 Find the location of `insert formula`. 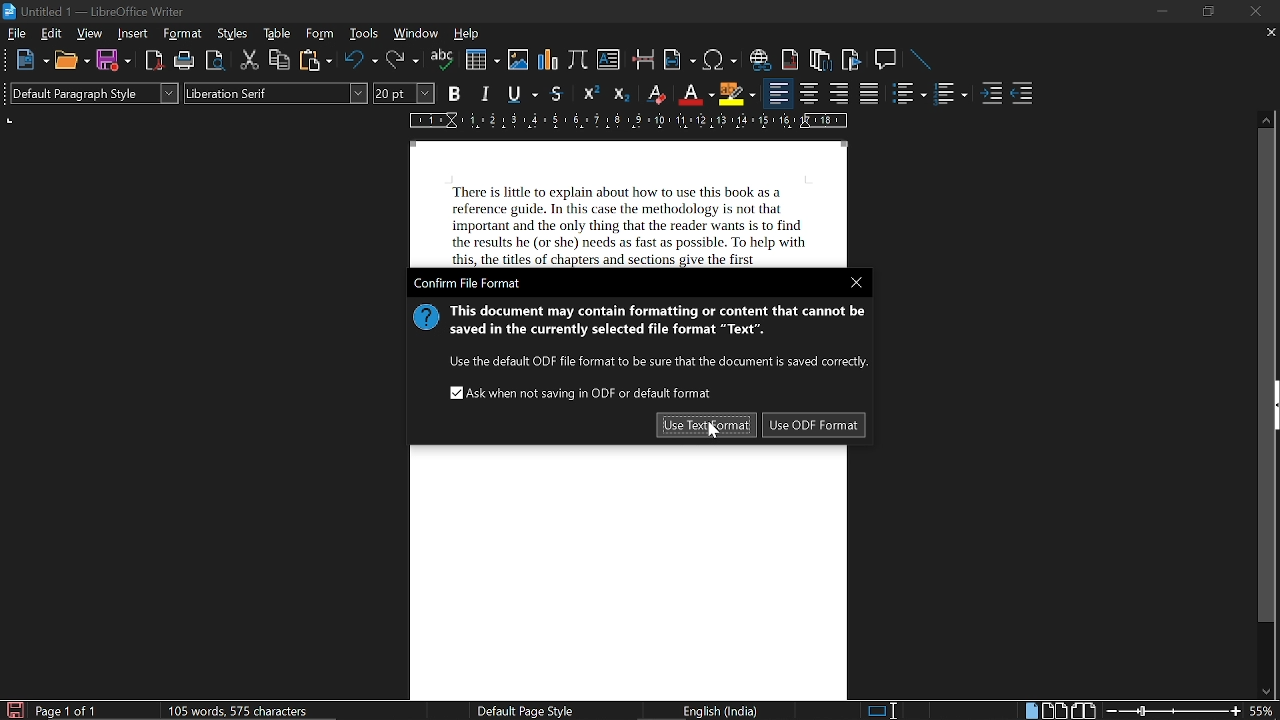

insert formula is located at coordinates (577, 61).